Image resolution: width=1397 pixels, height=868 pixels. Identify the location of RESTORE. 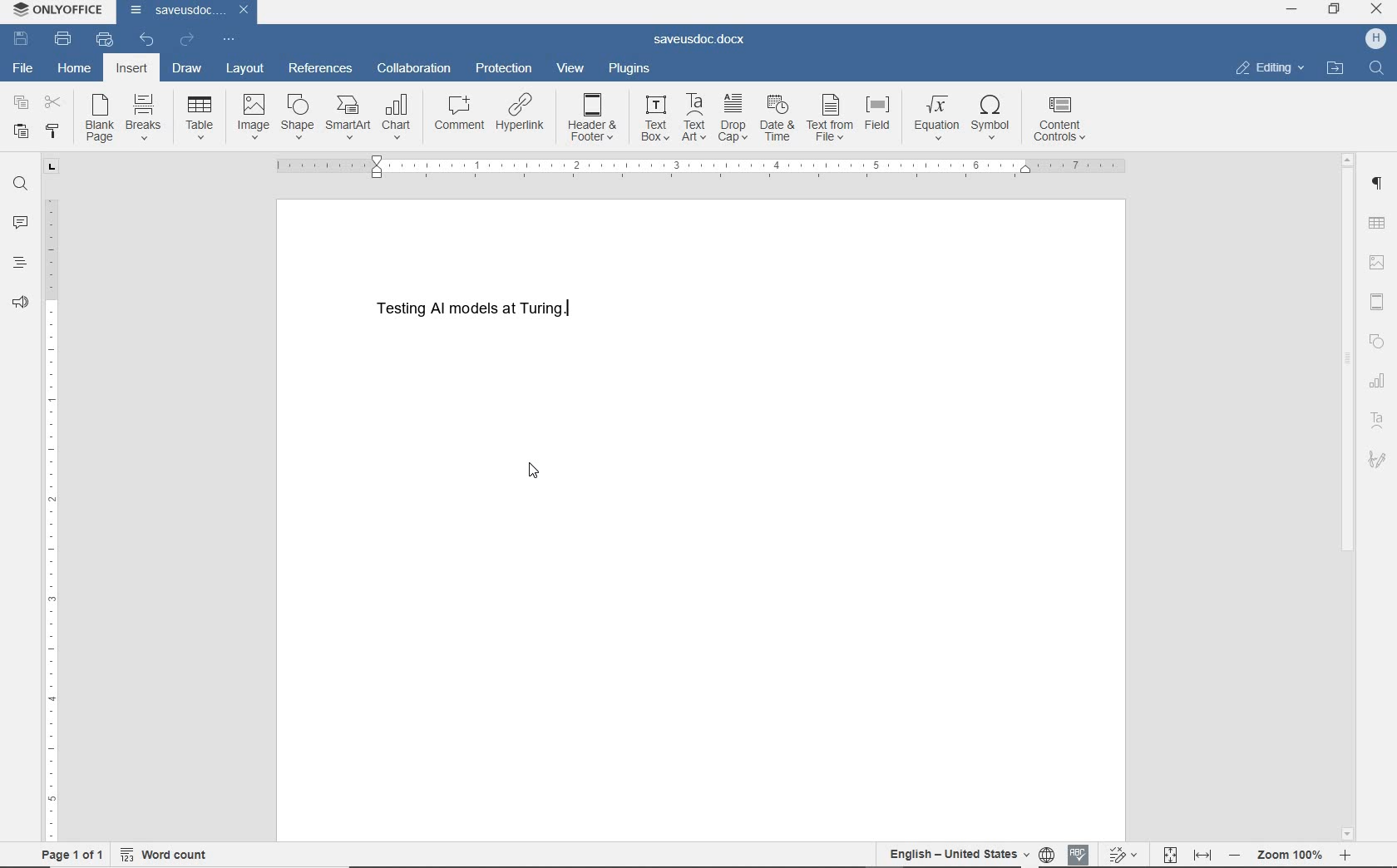
(1335, 9).